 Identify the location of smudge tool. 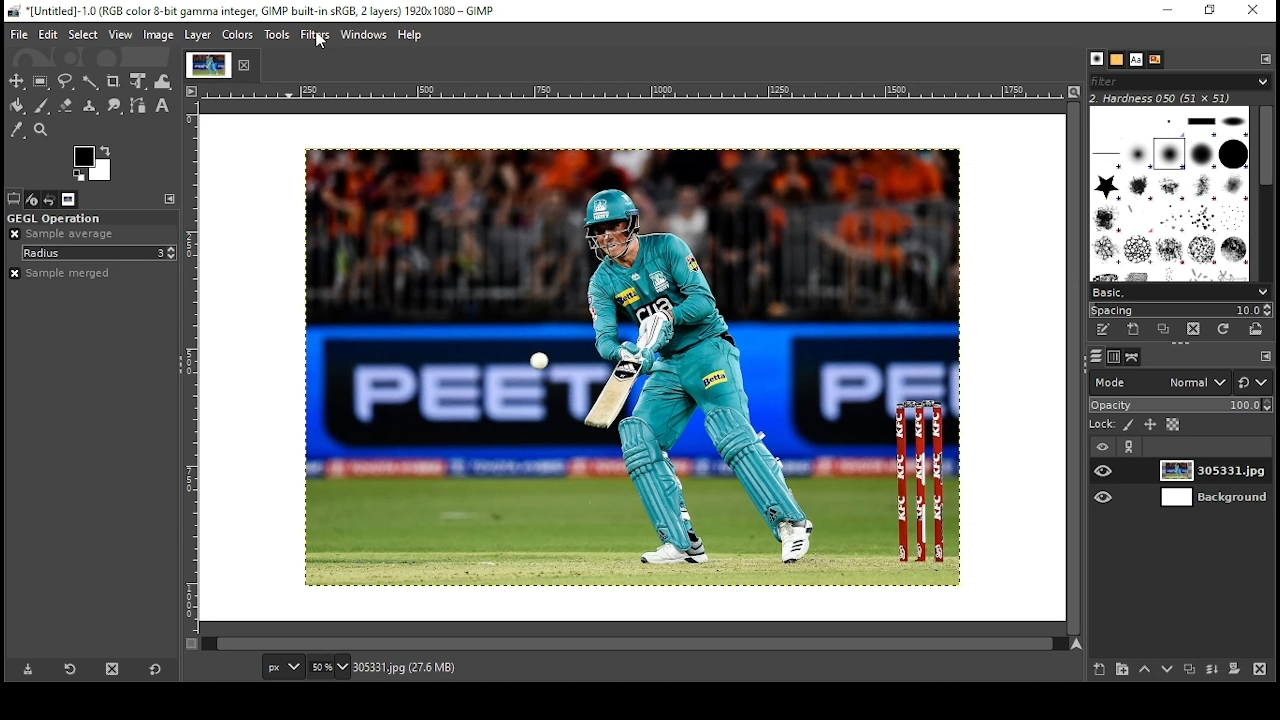
(114, 106).